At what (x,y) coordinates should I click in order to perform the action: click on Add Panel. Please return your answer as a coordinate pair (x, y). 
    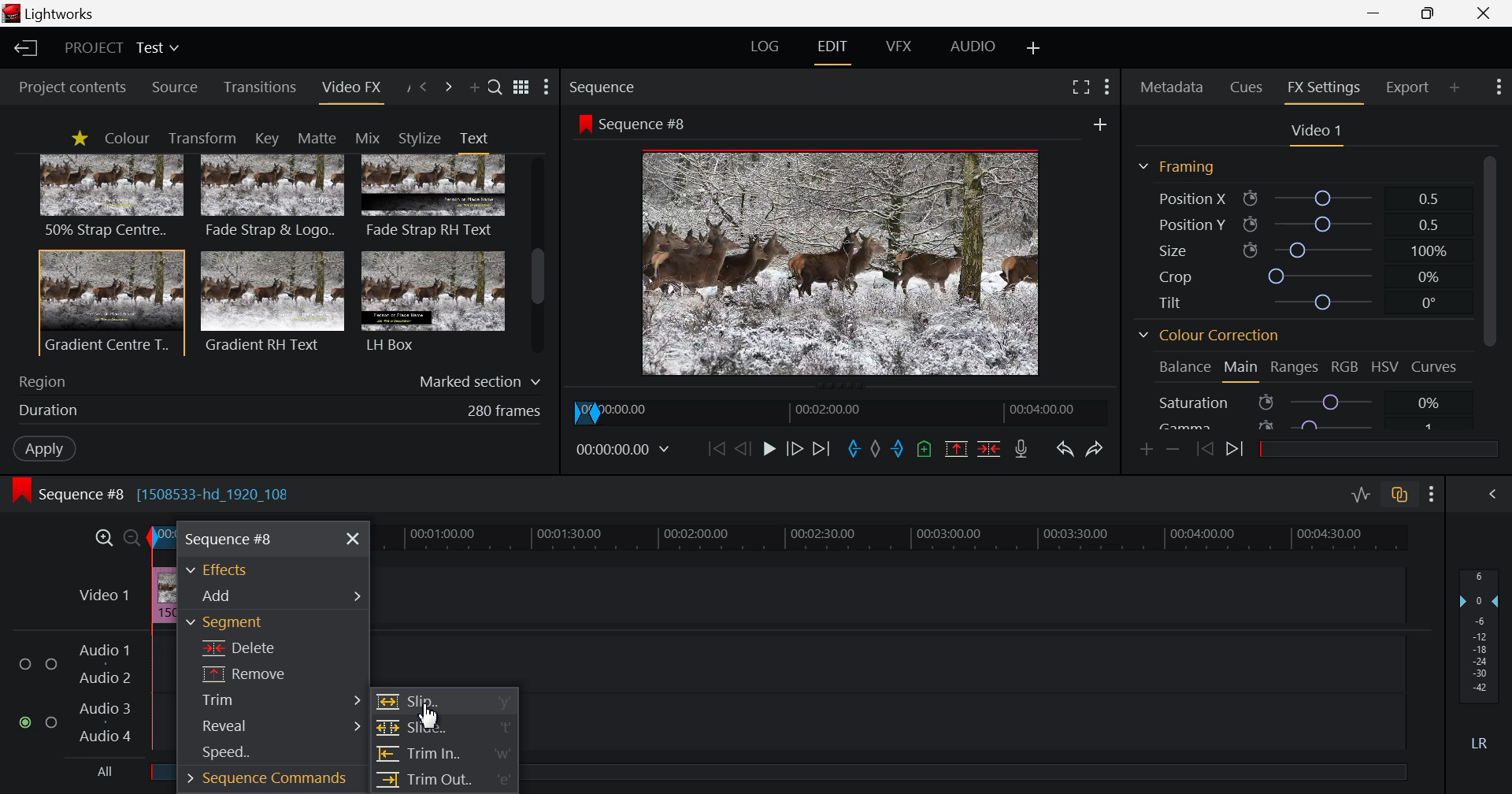
    Looking at the image, I should click on (1455, 85).